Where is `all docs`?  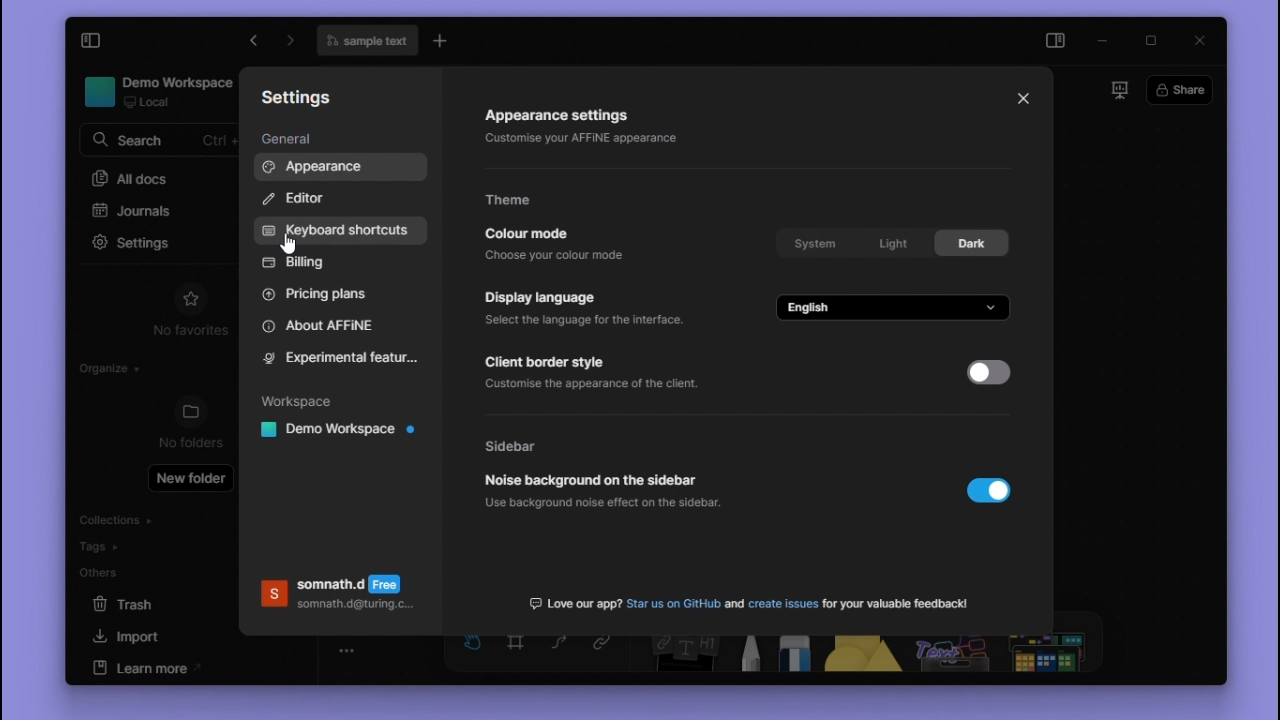
all docs is located at coordinates (159, 176).